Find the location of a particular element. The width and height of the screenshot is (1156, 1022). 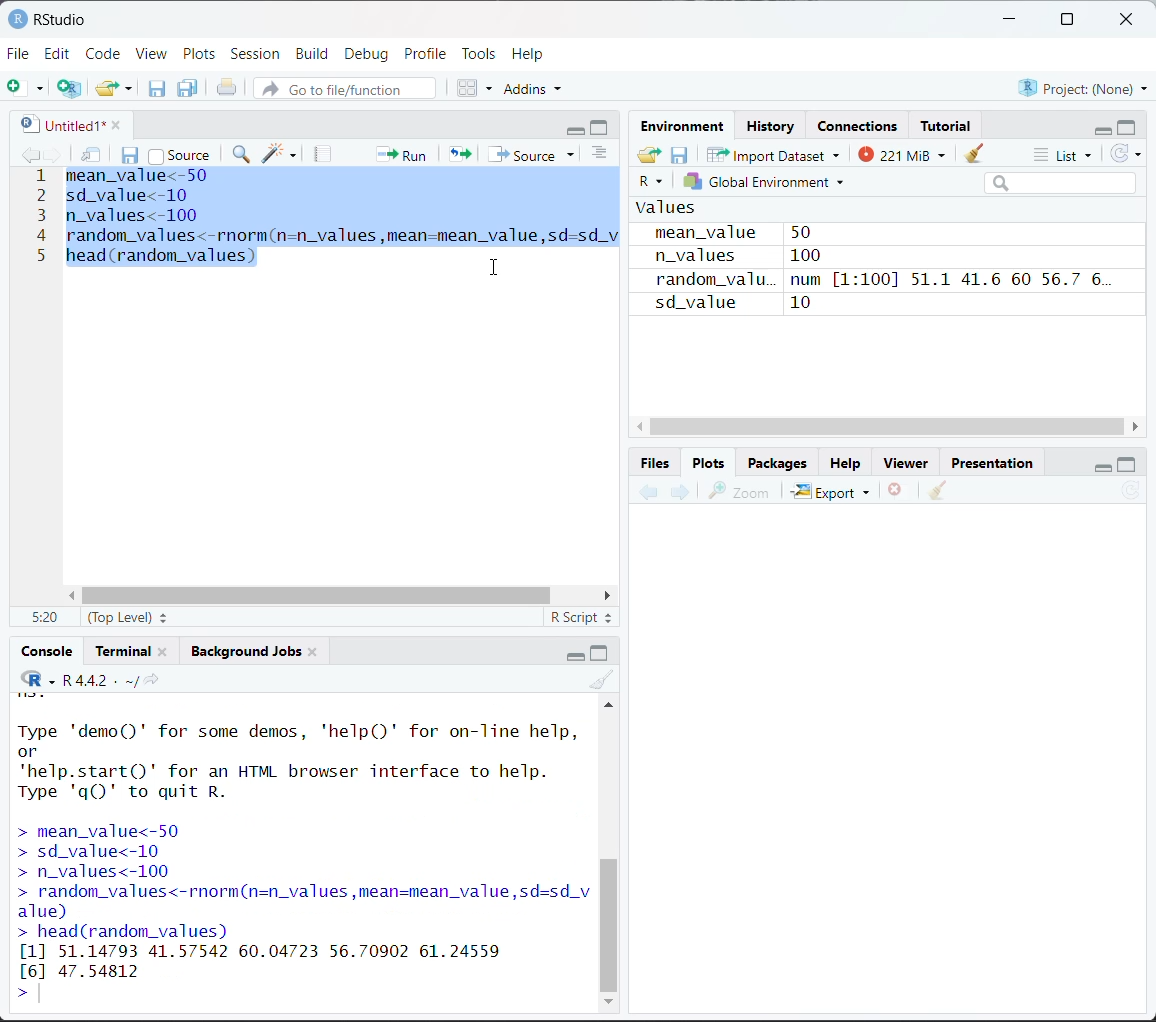

head (random_values] is located at coordinates (161, 262).